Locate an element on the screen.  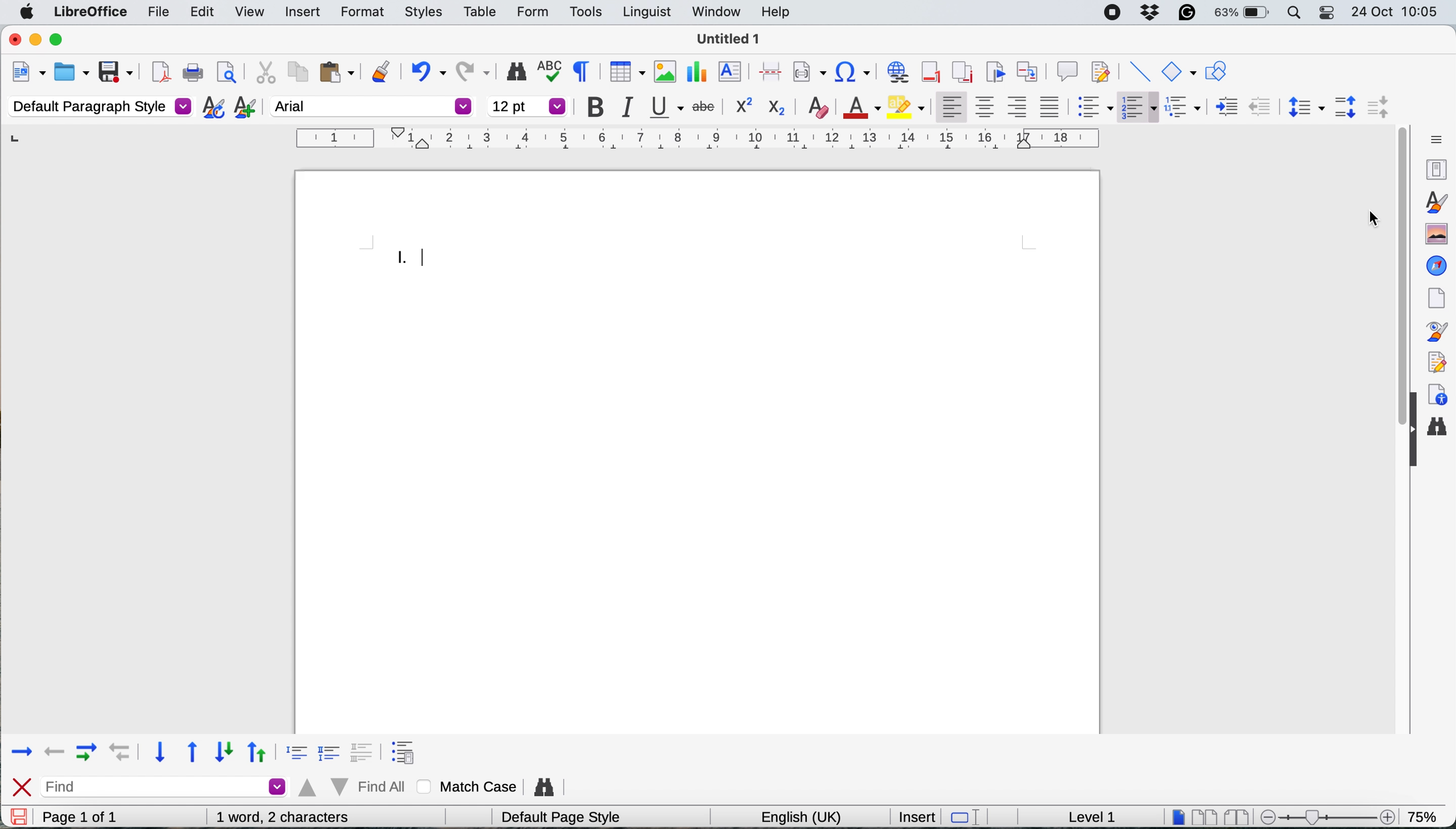
view is located at coordinates (249, 14).